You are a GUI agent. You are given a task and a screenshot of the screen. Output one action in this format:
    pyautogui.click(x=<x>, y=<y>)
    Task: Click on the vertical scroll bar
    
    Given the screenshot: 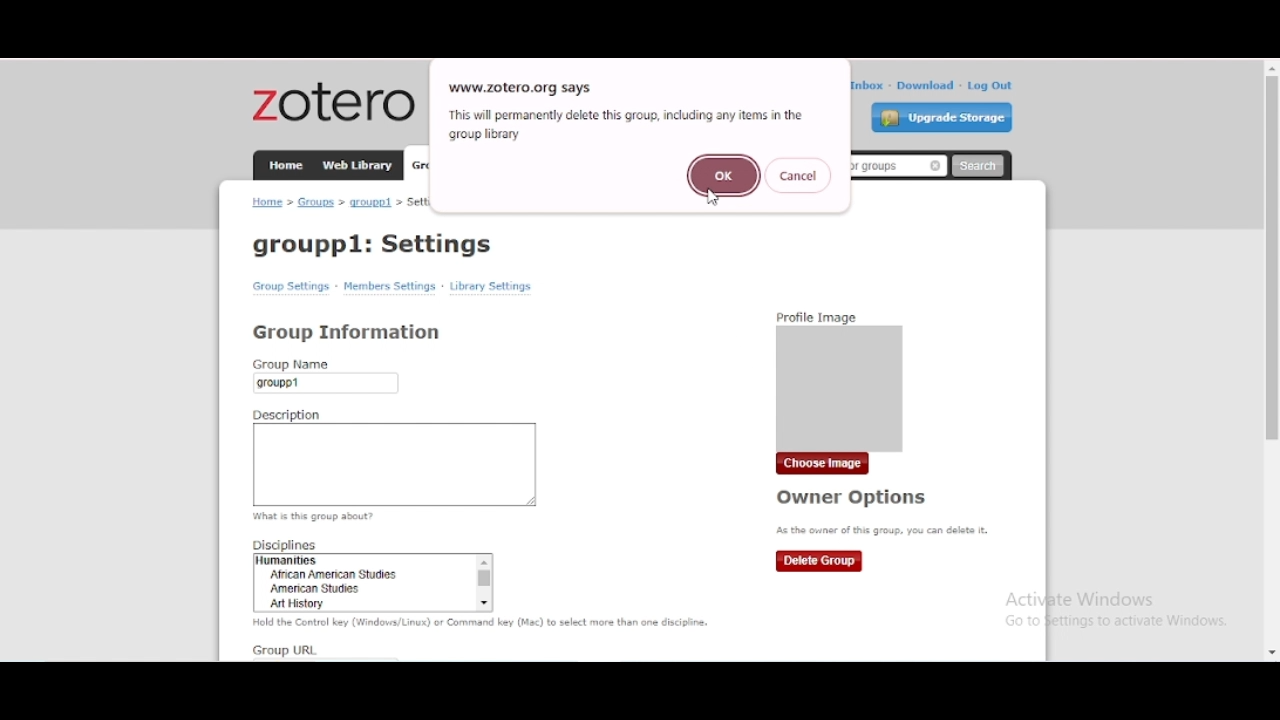 What is the action you would take?
    pyautogui.click(x=1270, y=260)
    